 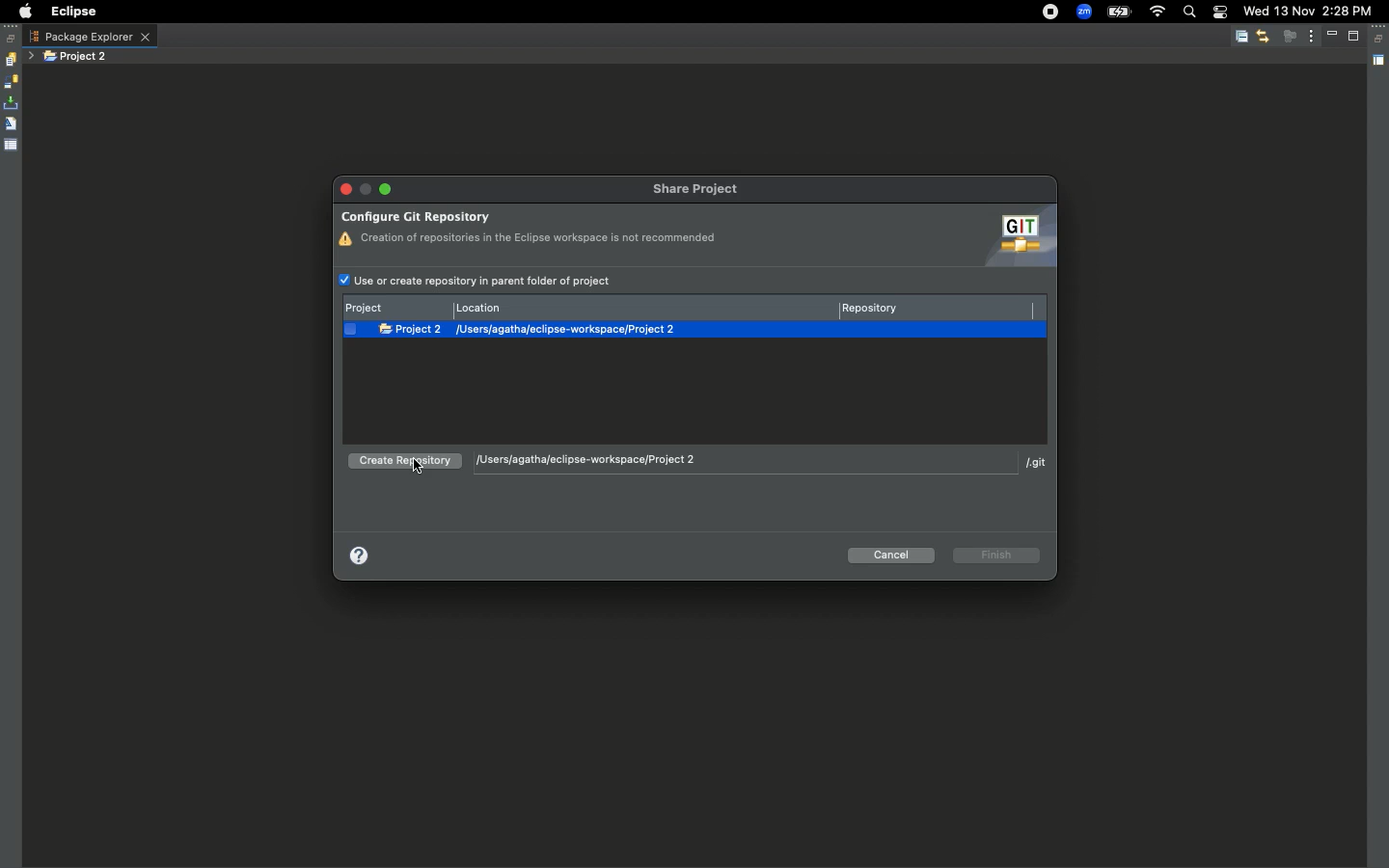 What do you see at coordinates (704, 190) in the screenshot?
I see `Share project` at bounding box center [704, 190].